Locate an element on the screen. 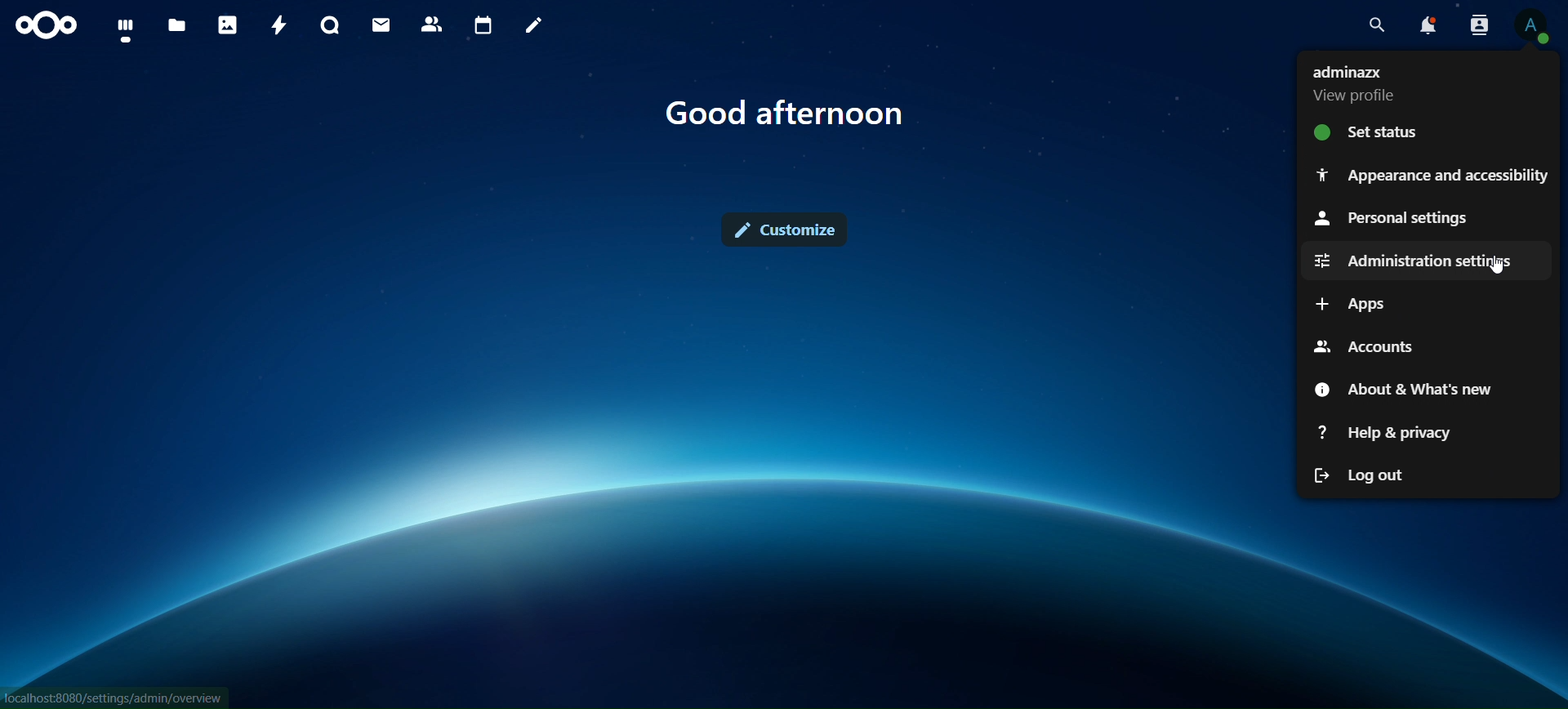  administration settings is located at coordinates (1407, 261).